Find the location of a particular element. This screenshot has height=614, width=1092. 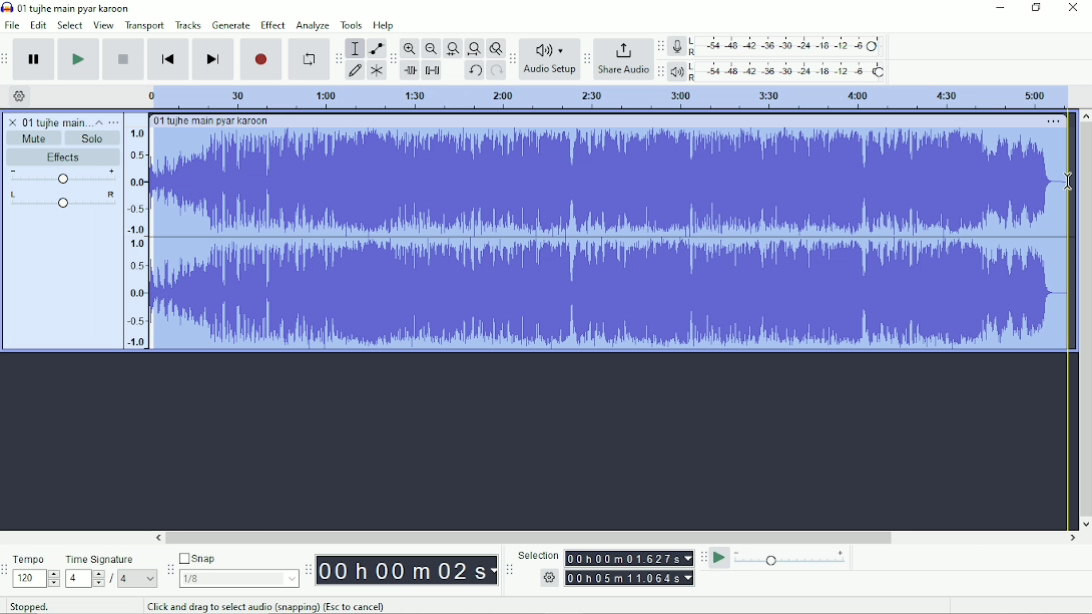

Horizontal scrollbar is located at coordinates (616, 538).